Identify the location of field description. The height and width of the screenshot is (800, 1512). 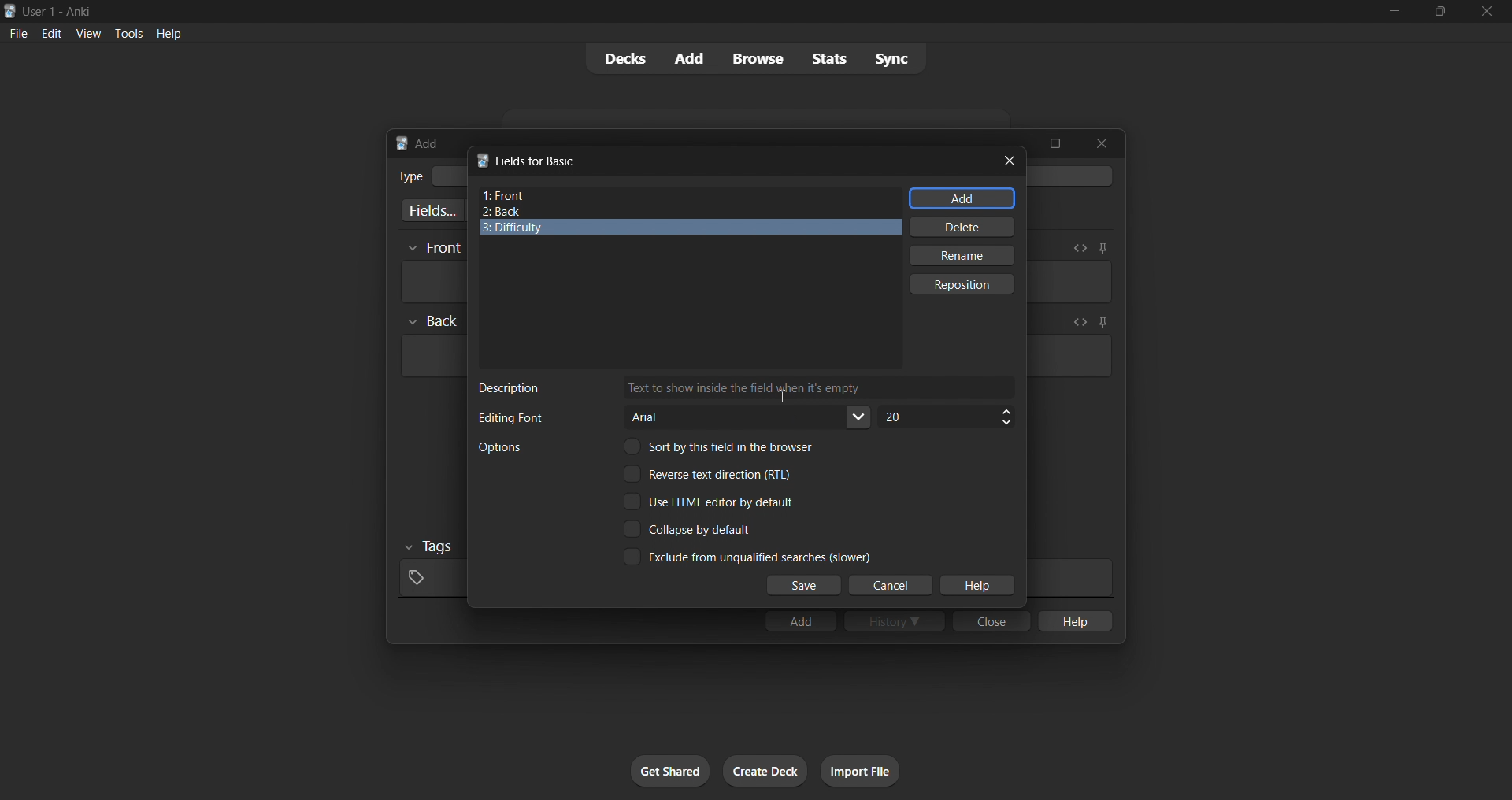
(819, 387).